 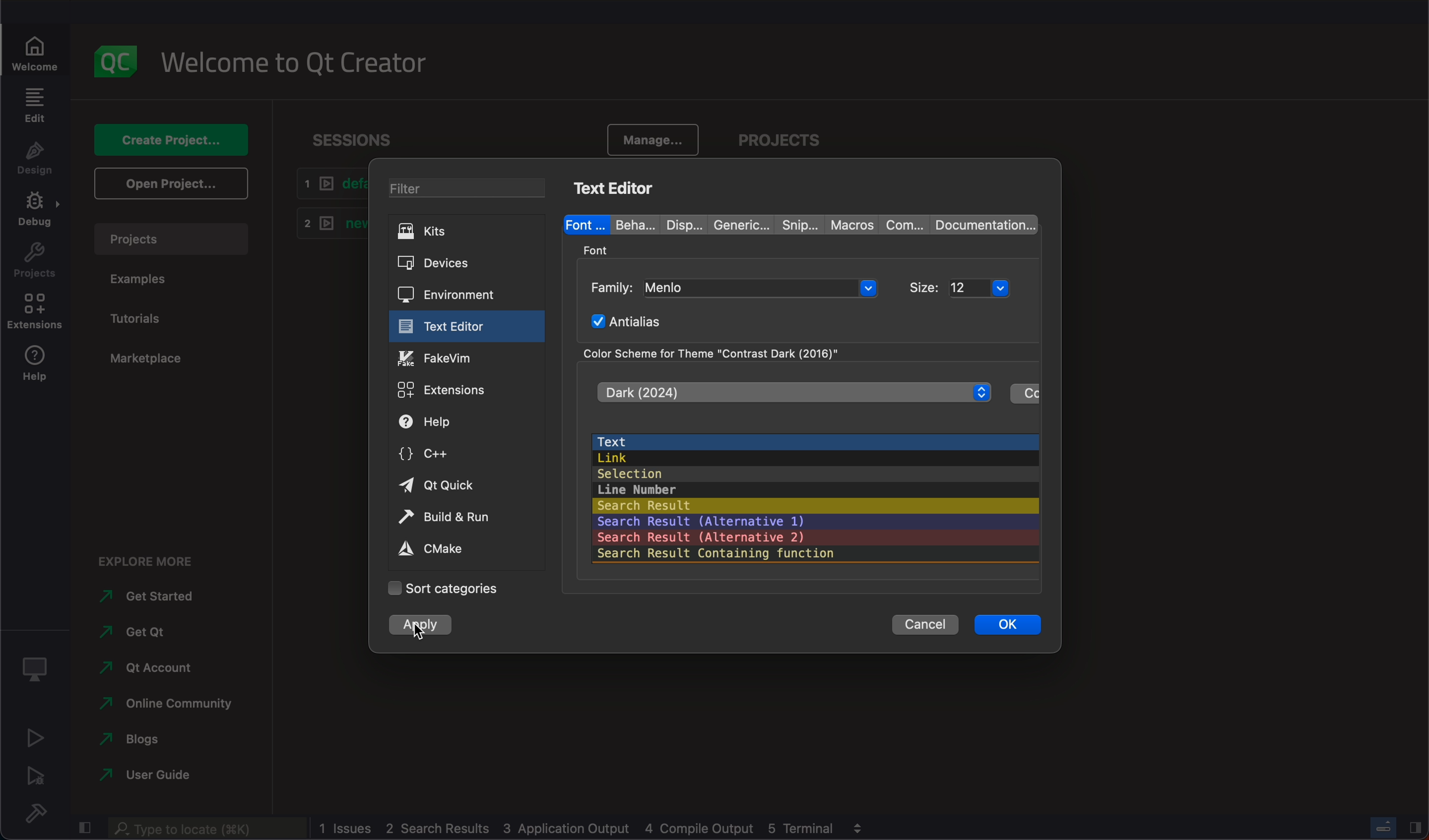 What do you see at coordinates (173, 238) in the screenshot?
I see `project` at bounding box center [173, 238].